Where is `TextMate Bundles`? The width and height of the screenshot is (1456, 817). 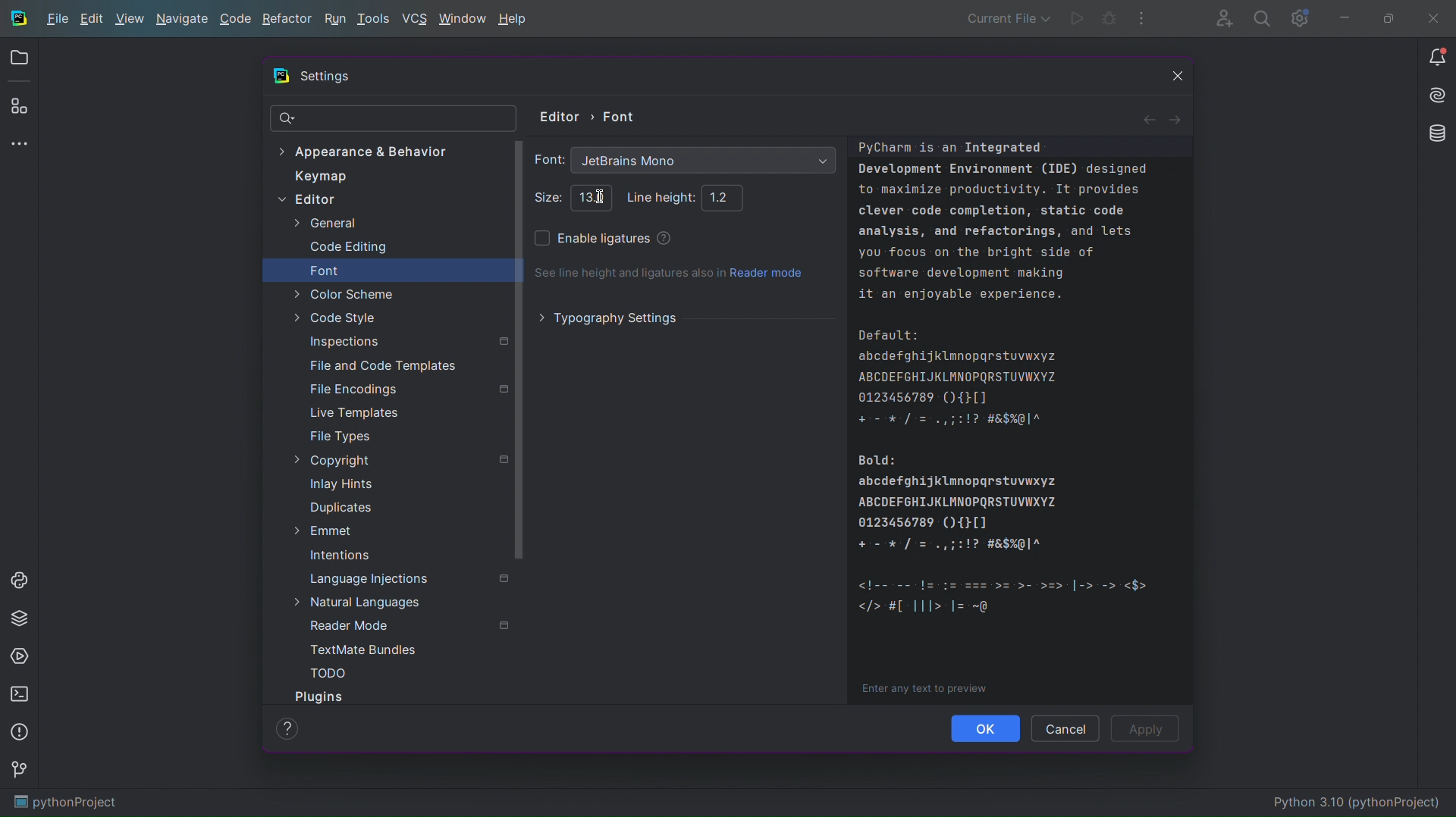 TextMate Bundles is located at coordinates (364, 650).